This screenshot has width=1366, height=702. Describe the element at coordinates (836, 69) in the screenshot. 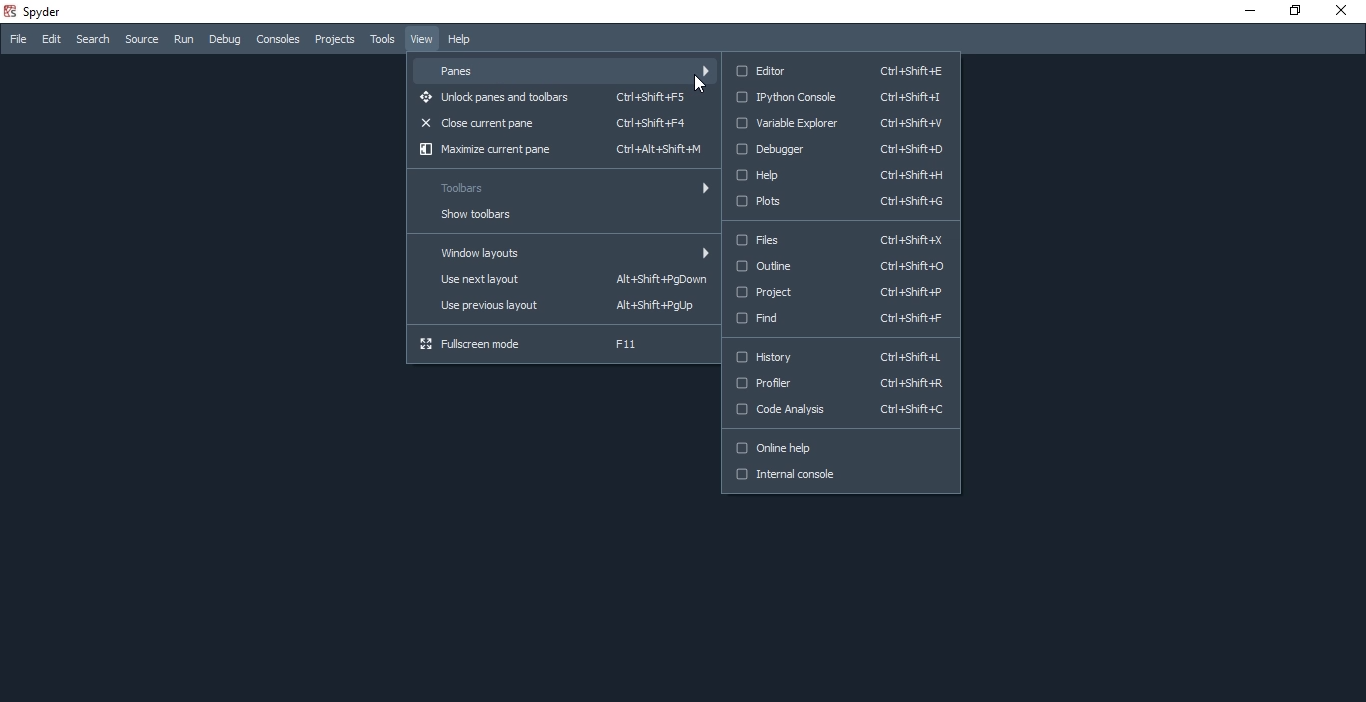

I see `Editor` at that location.